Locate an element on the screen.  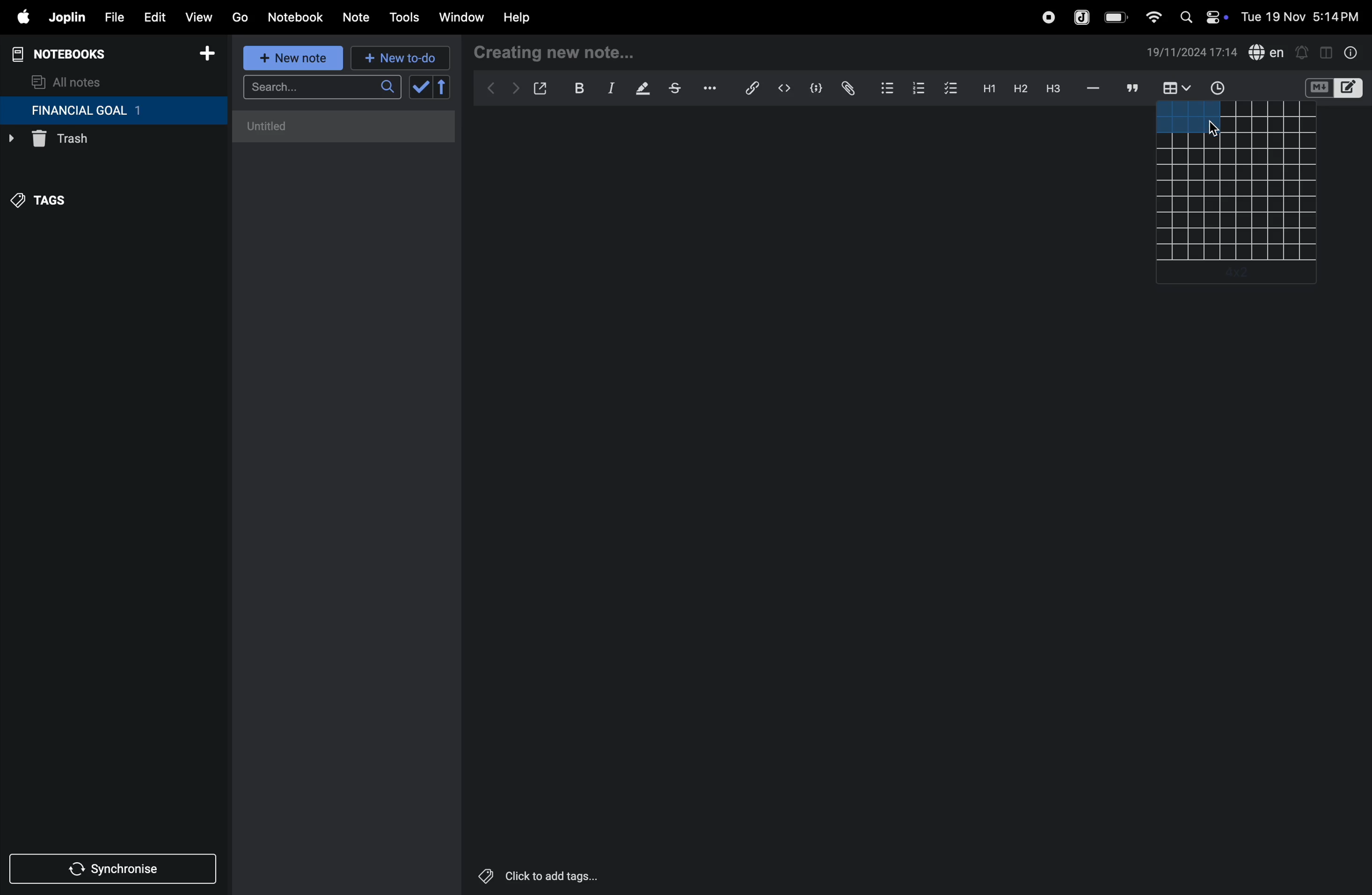
tools is located at coordinates (402, 17).